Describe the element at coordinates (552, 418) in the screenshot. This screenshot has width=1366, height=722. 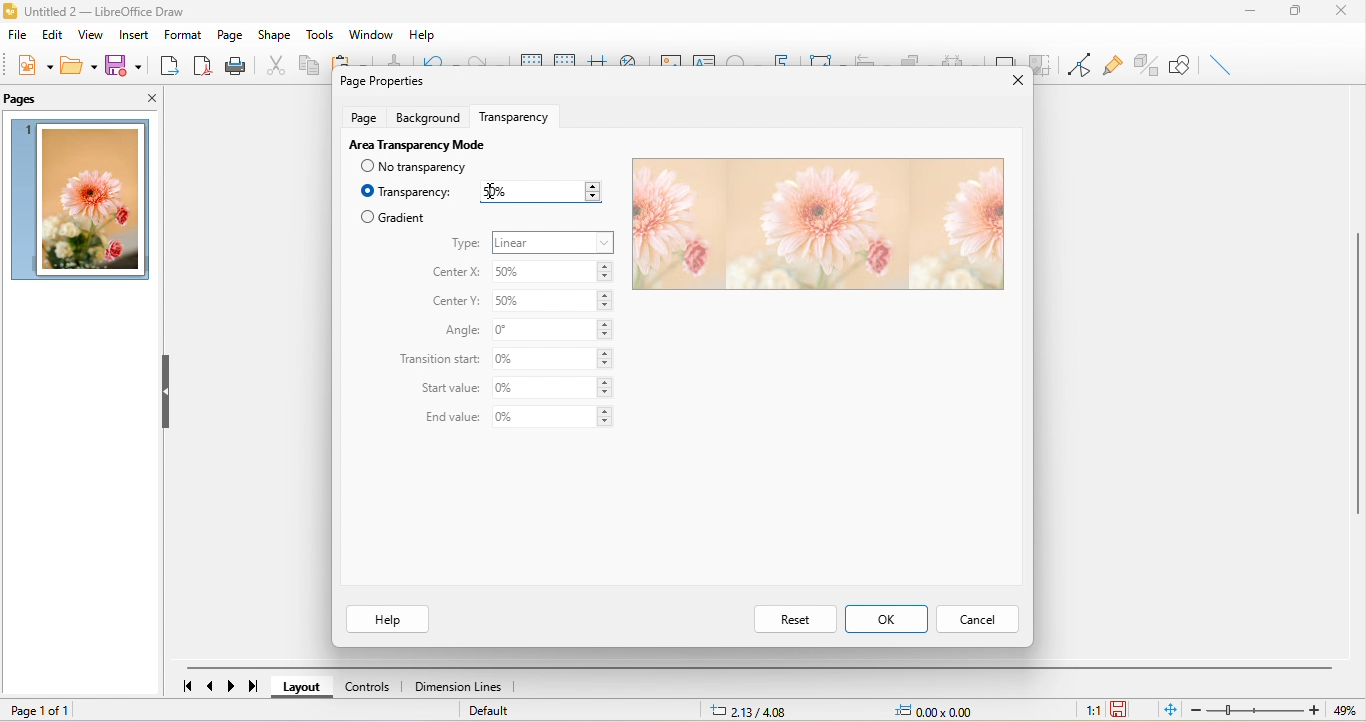
I see `0%` at that location.